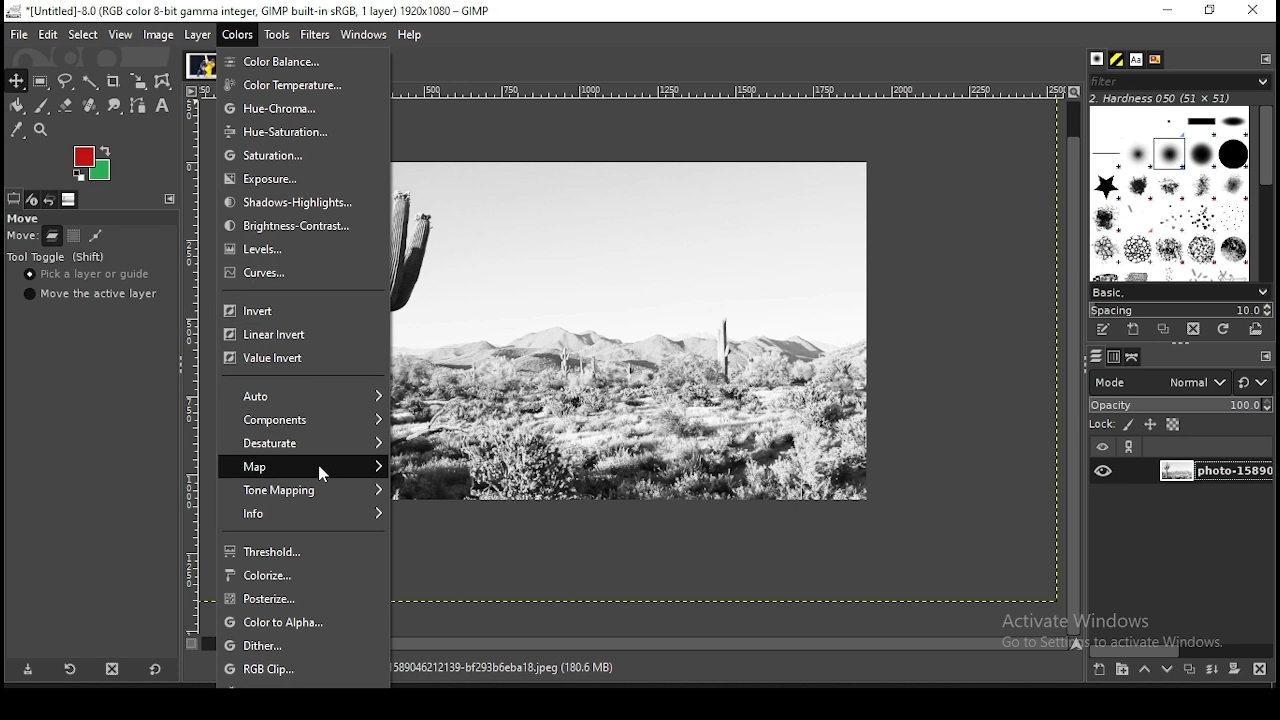 This screenshot has height=720, width=1280. What do you see at coordinates (288, 62) in the screenshot?
I see `color balance` at bounding box center [288, 62].